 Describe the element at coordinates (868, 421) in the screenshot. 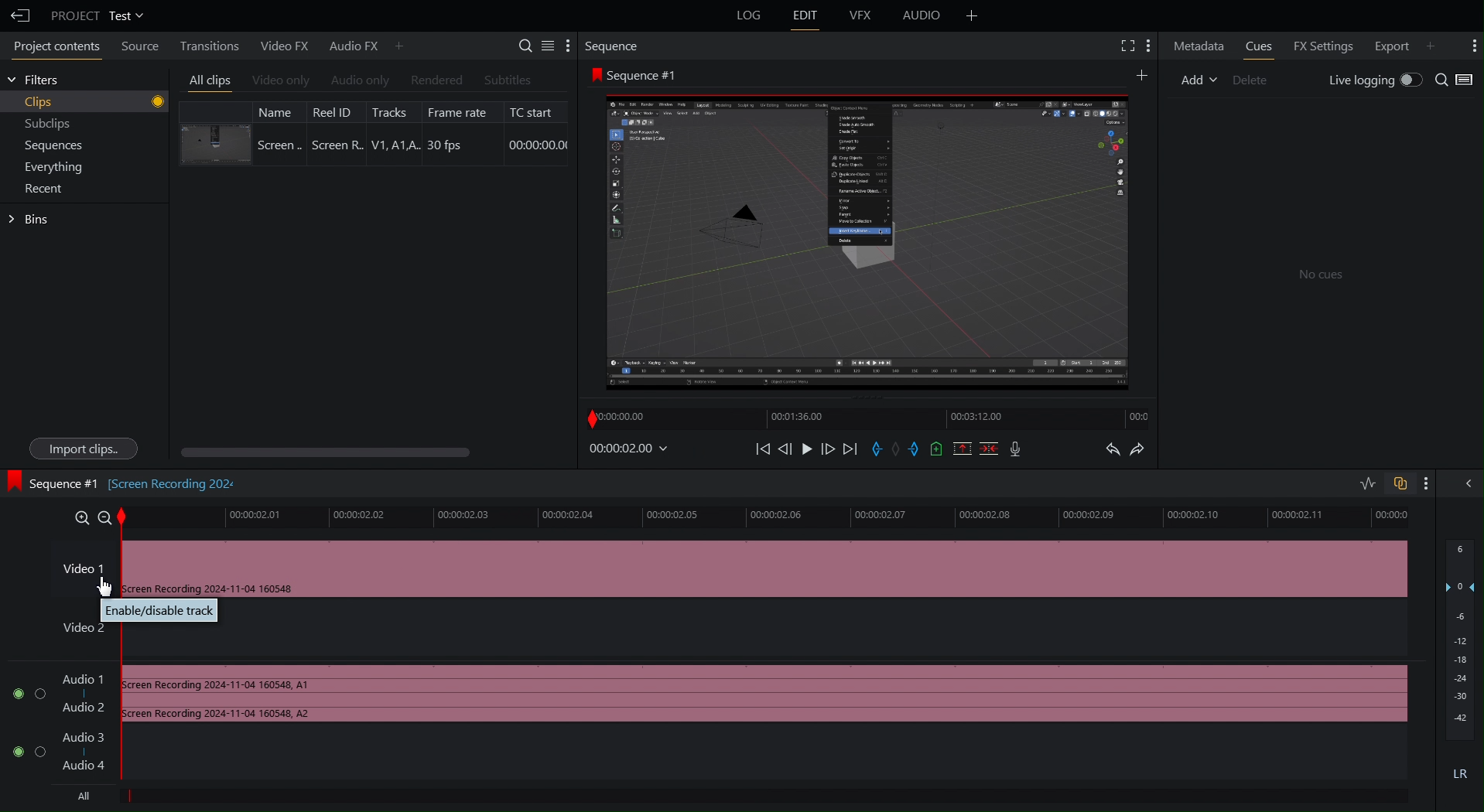

I see `Timeline` at that location.